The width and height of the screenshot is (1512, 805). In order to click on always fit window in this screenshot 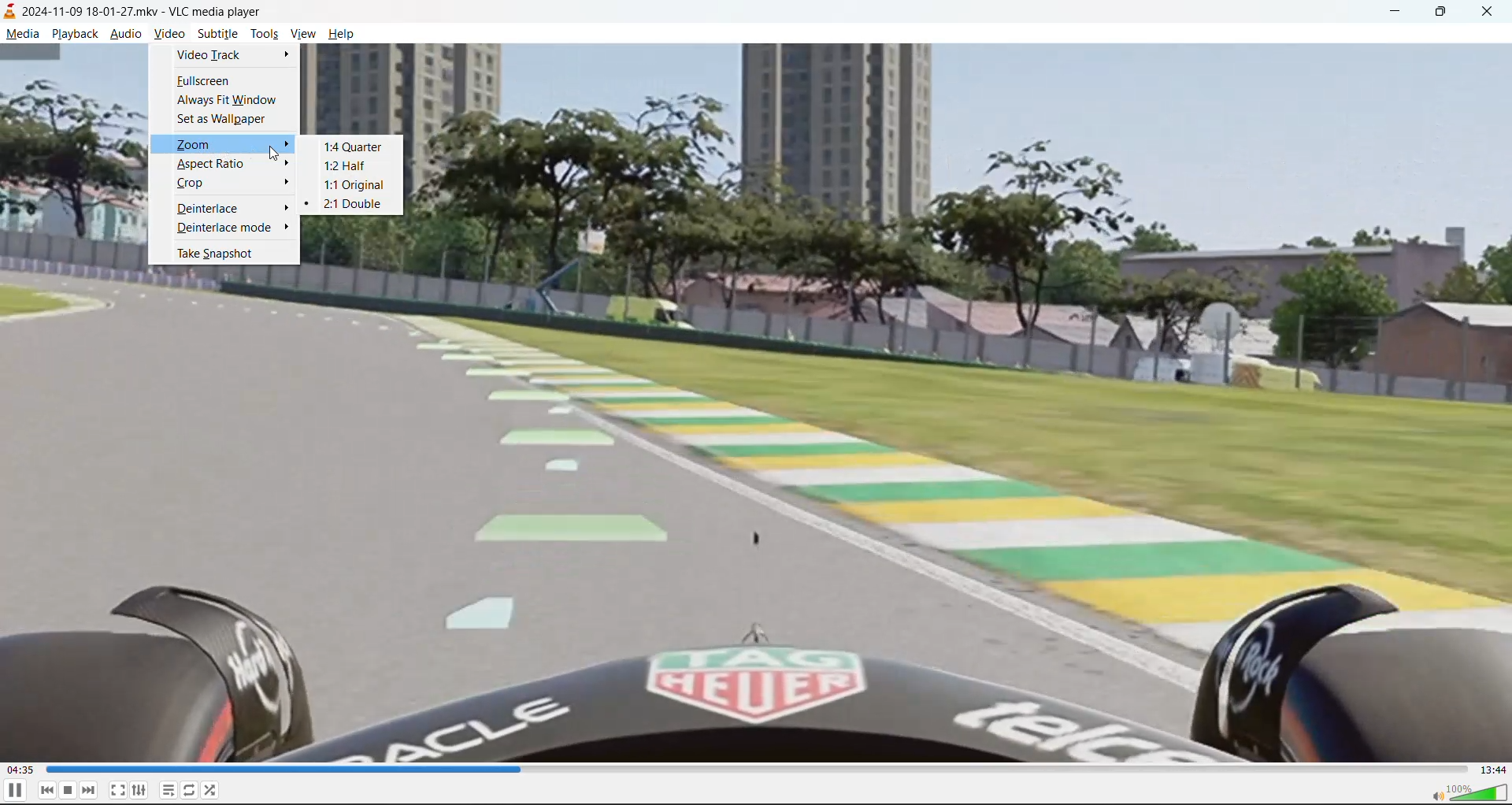, I will do `click(227, 100)`.